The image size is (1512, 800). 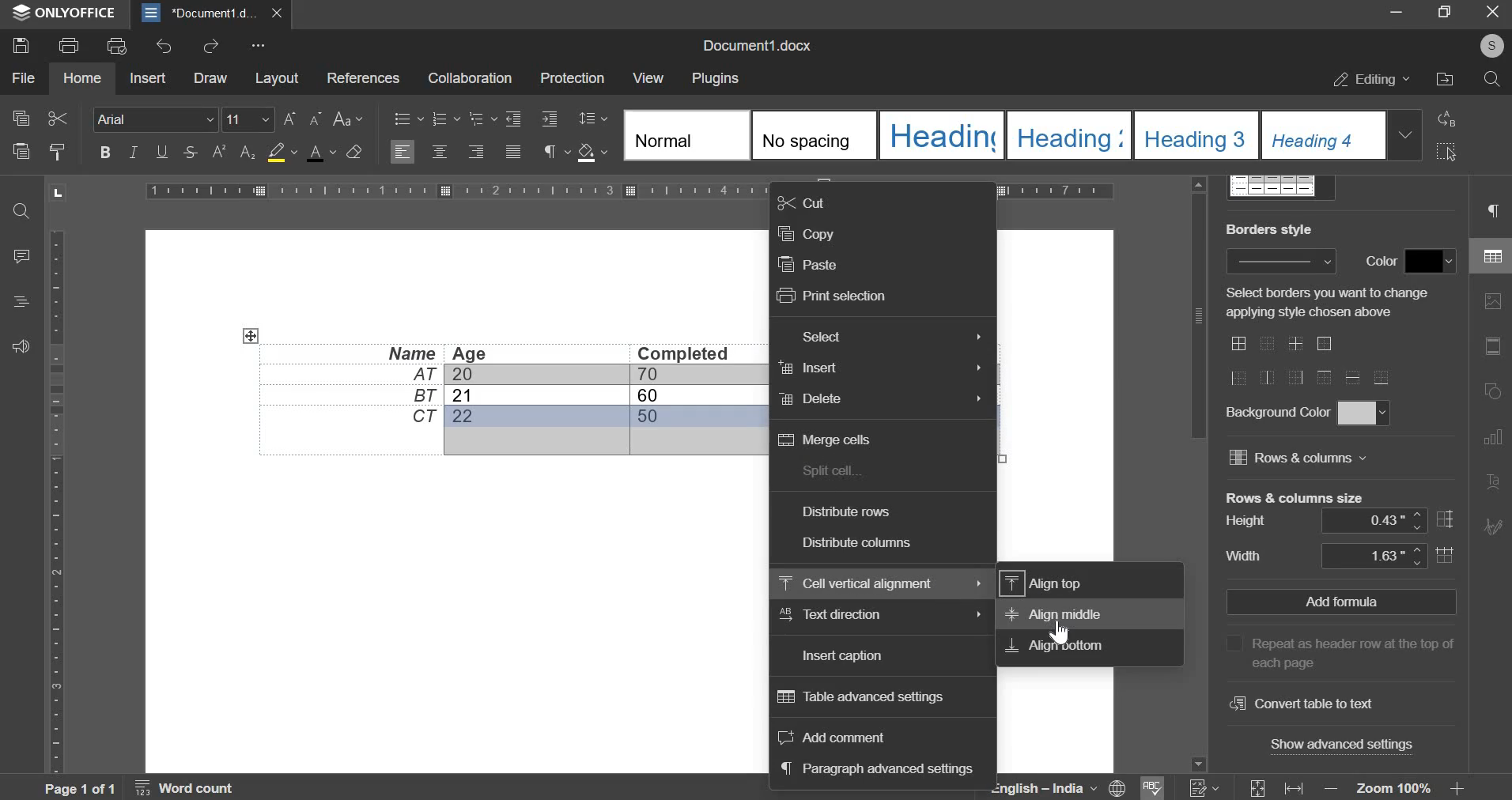 What do you see at coordinates (22, 300) in the screenshot?
I see `headings` at bounding box center [22, 300].